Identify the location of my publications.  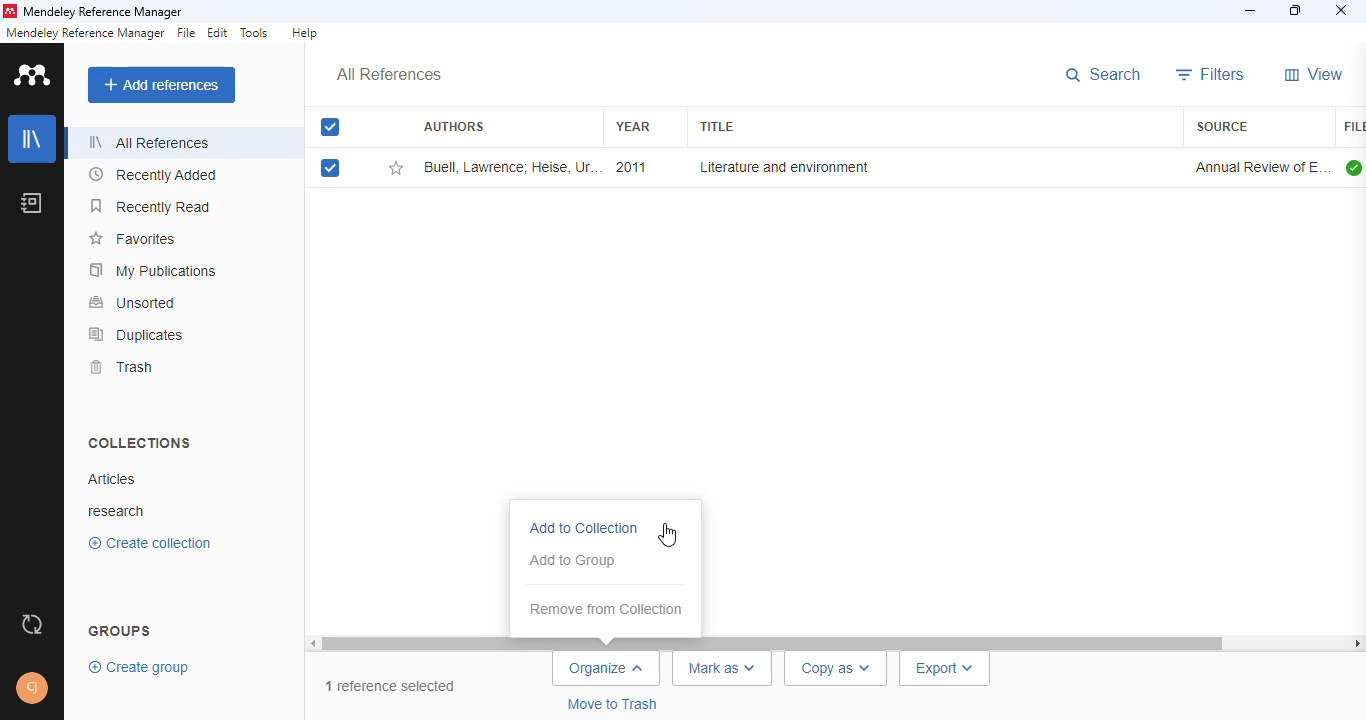
(153, 271).